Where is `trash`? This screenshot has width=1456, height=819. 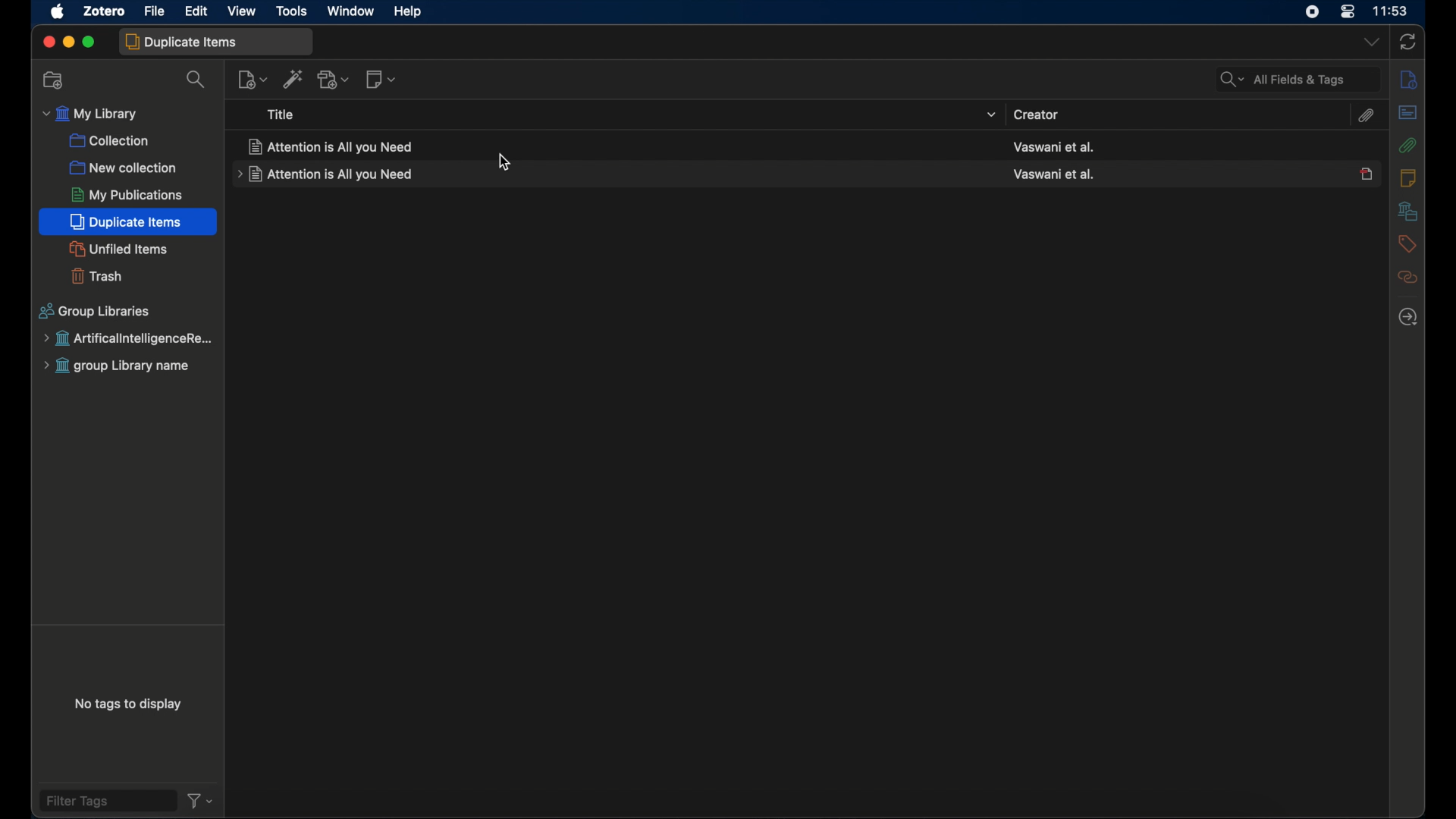
trash is located at coordinates (96, 276).